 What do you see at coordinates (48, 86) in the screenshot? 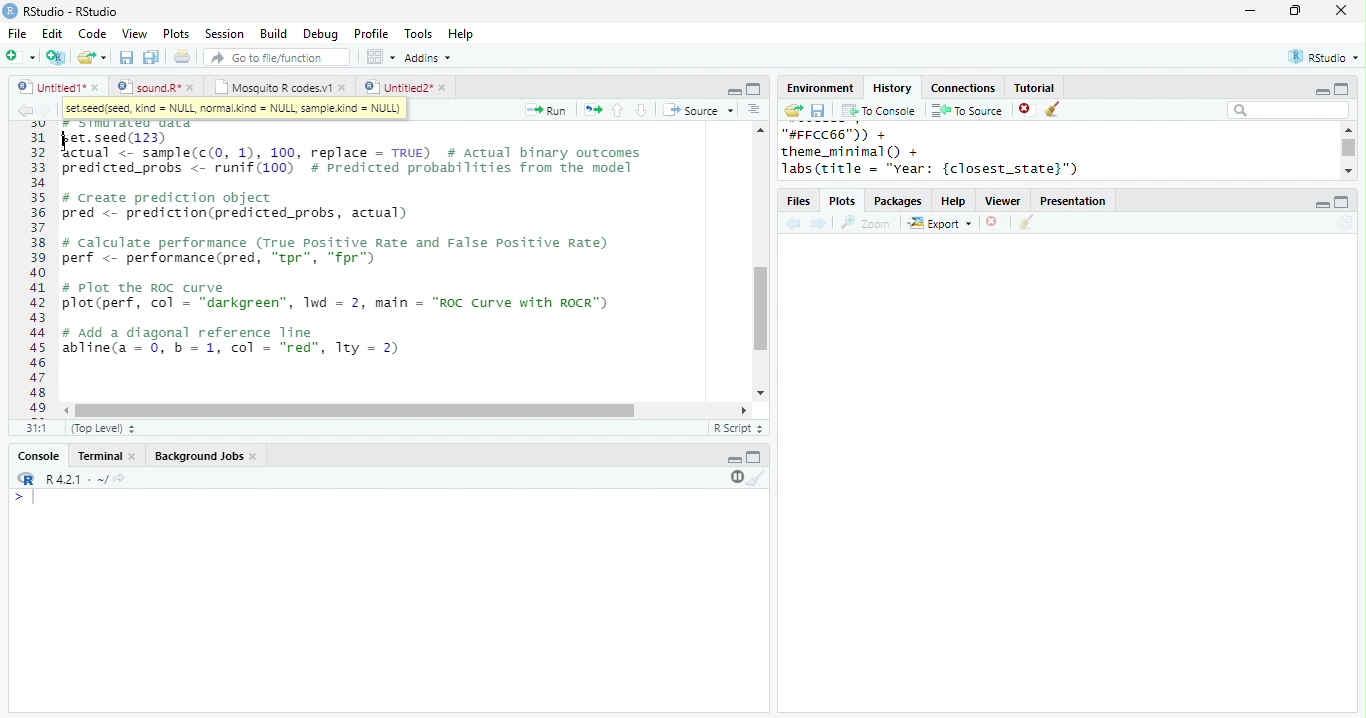
I see `Untitled 1` at bounding box center [48, 86].